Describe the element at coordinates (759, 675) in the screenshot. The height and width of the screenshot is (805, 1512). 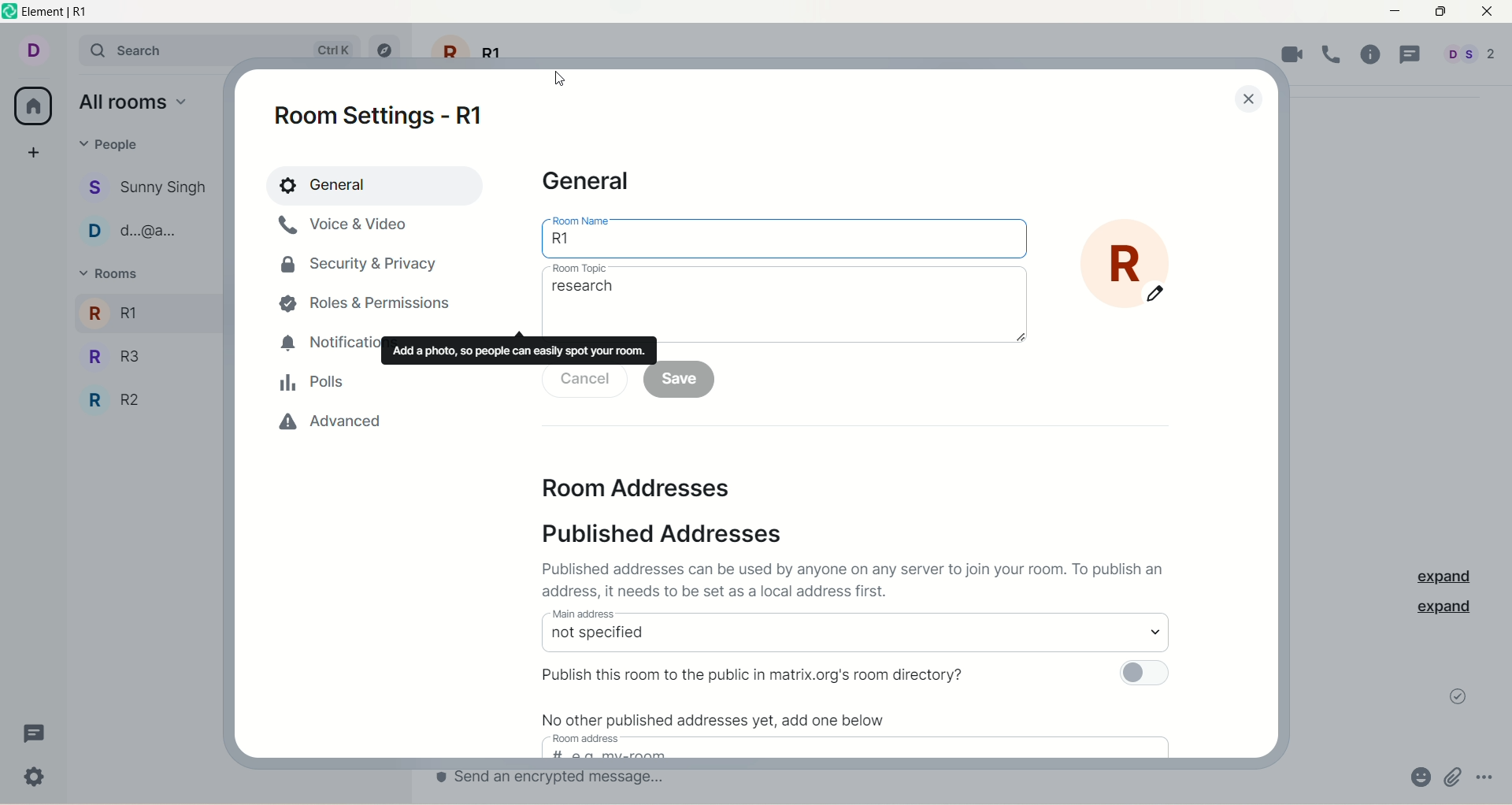
I see `text` at that location.